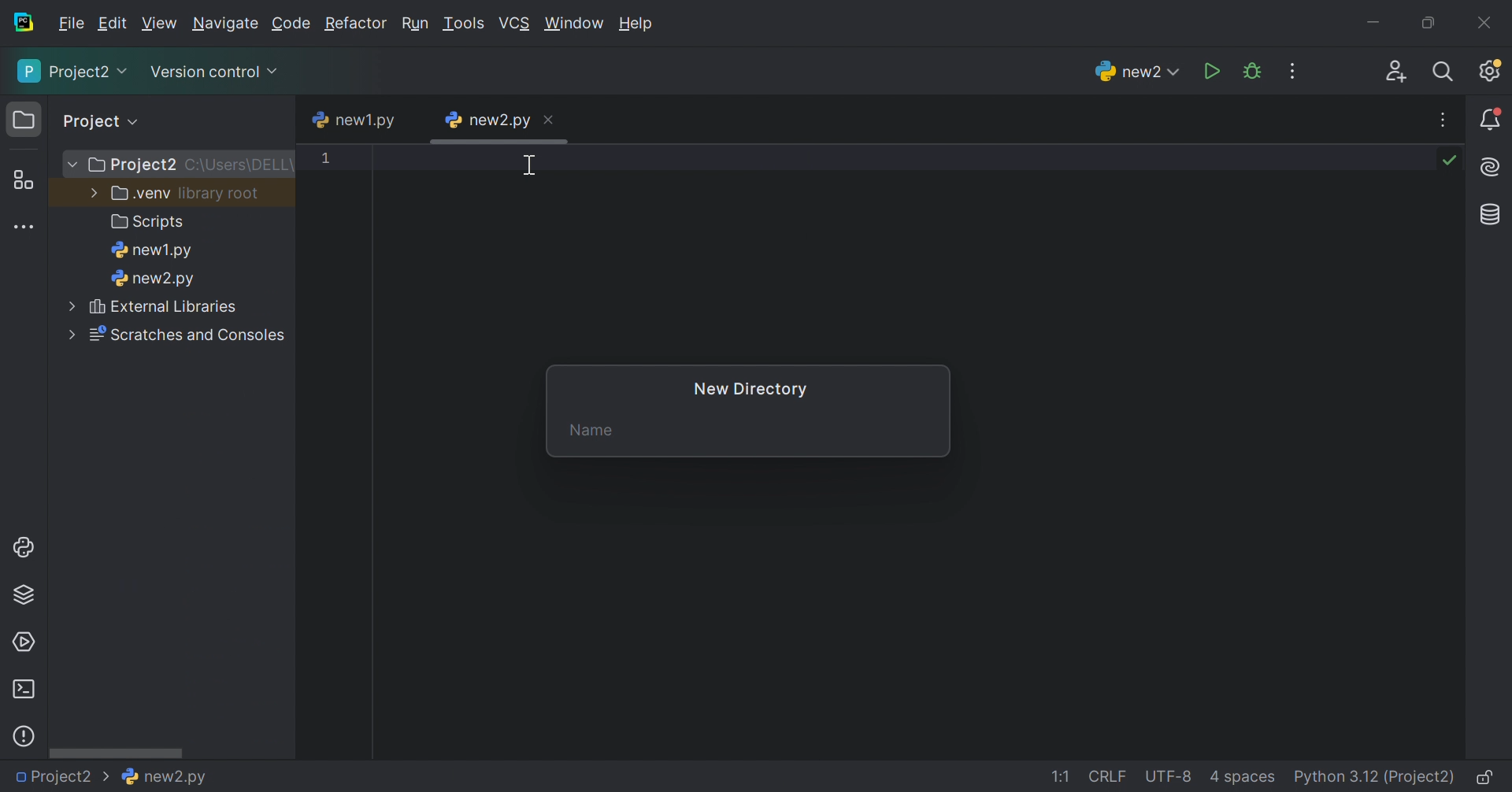 The width and height of the screenshot is (1512, 792). I want to click on Scroll bar, so click(114, 749).